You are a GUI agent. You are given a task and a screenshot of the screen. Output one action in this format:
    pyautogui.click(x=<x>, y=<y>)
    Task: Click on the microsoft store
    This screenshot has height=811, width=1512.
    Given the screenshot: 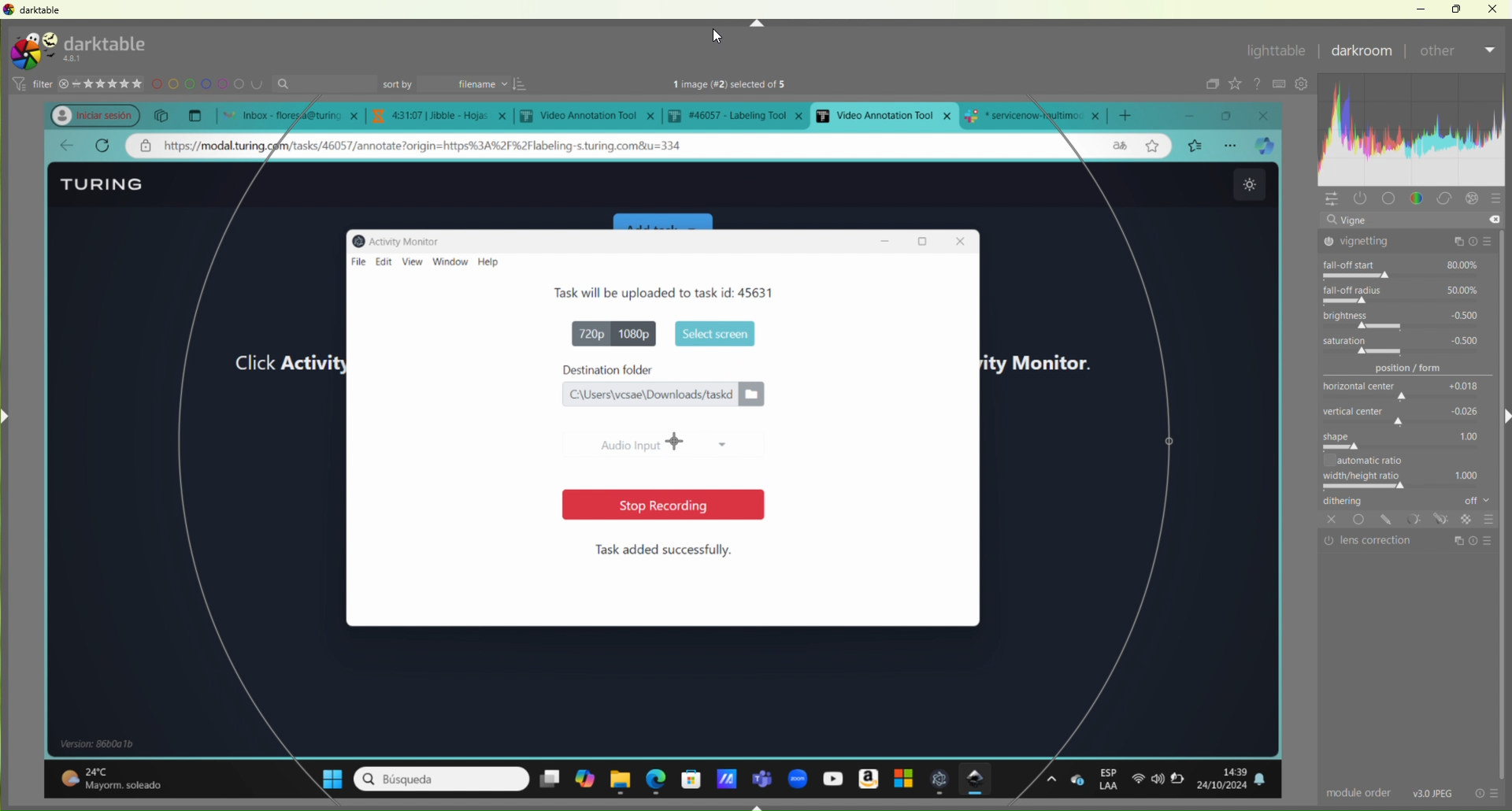 What is the action you would take?
    pyautogui.click(x=691, y=777)
    